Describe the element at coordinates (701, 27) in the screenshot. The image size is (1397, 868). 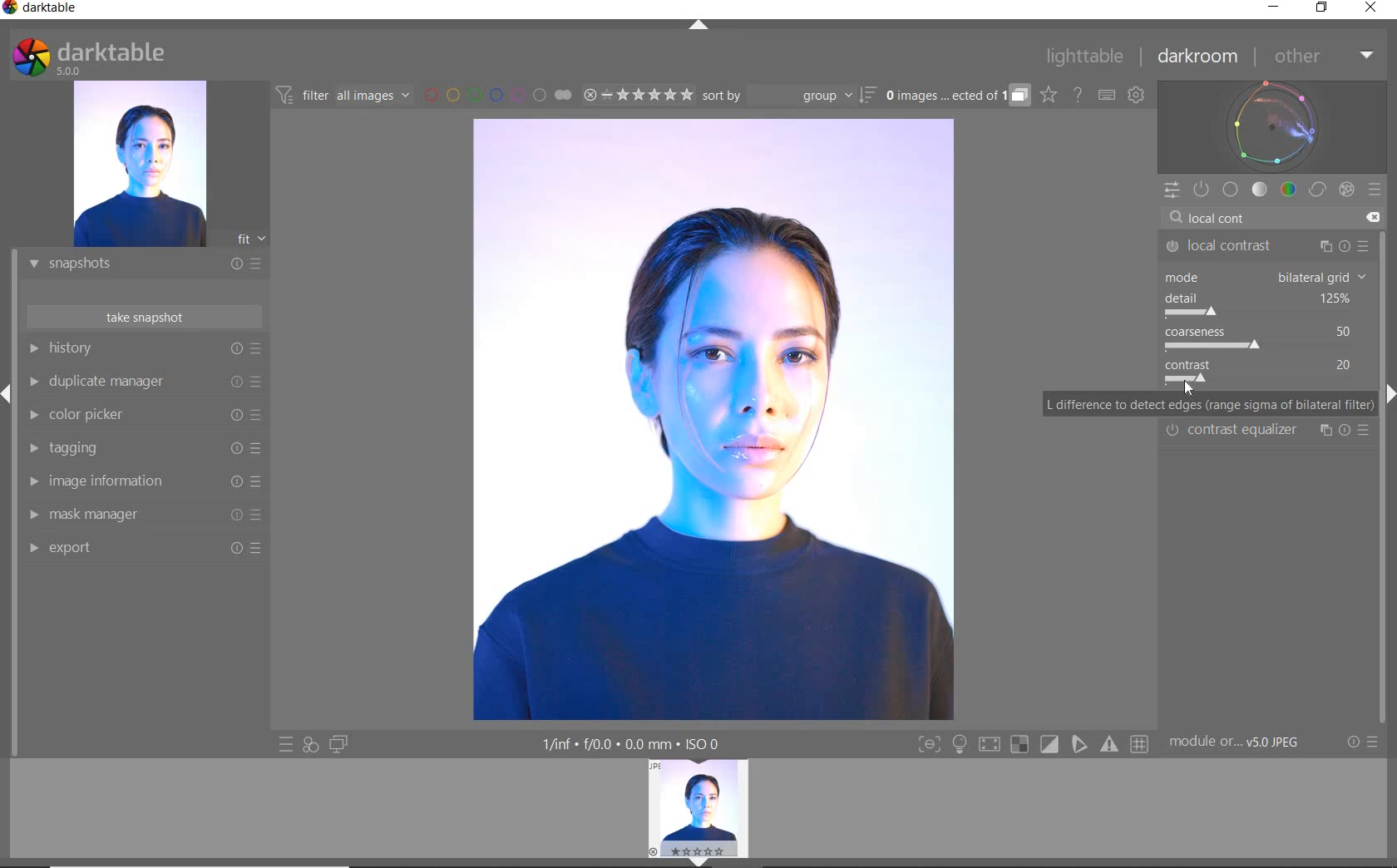
I see `EXPAND/COLLAPSE` at that location.